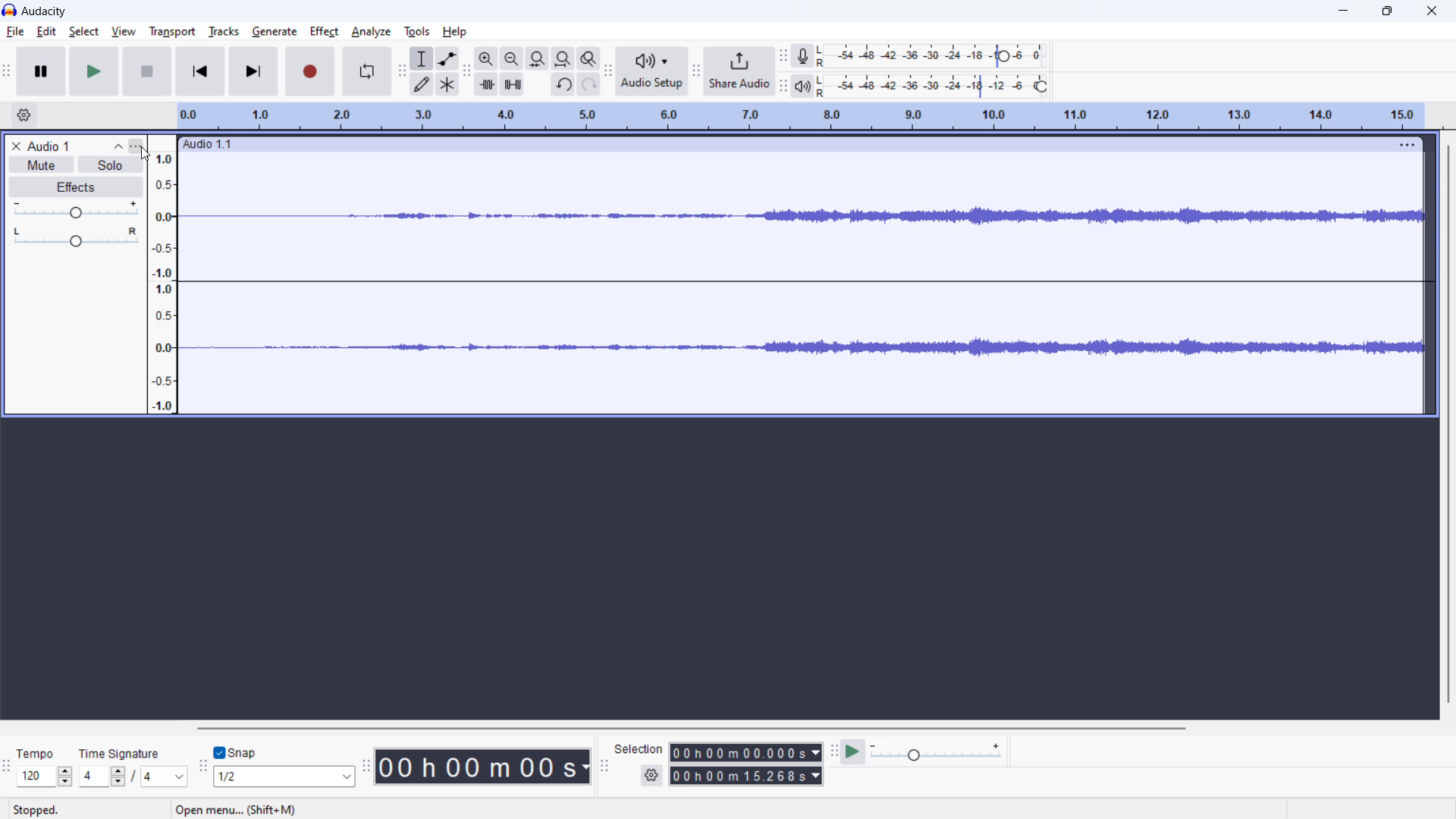 The image size is (1456, 819). I want to click on effect, so click(325, 32).